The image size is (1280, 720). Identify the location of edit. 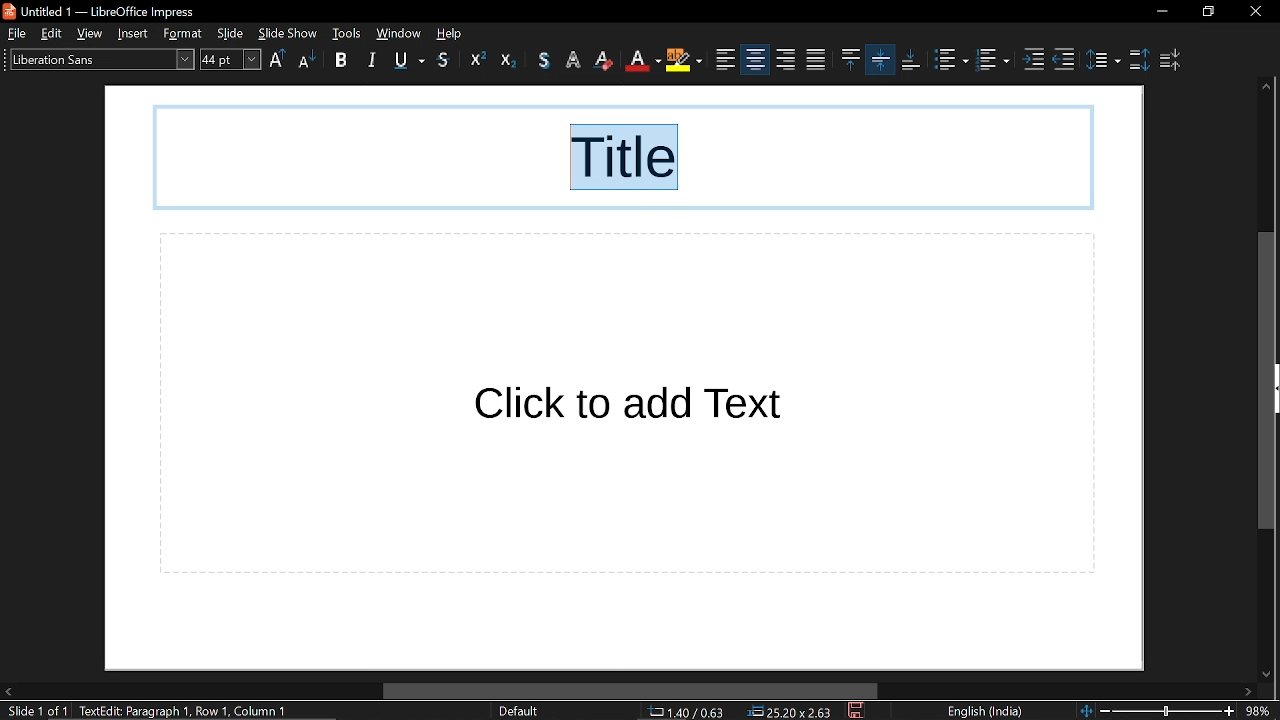
(54, 34).